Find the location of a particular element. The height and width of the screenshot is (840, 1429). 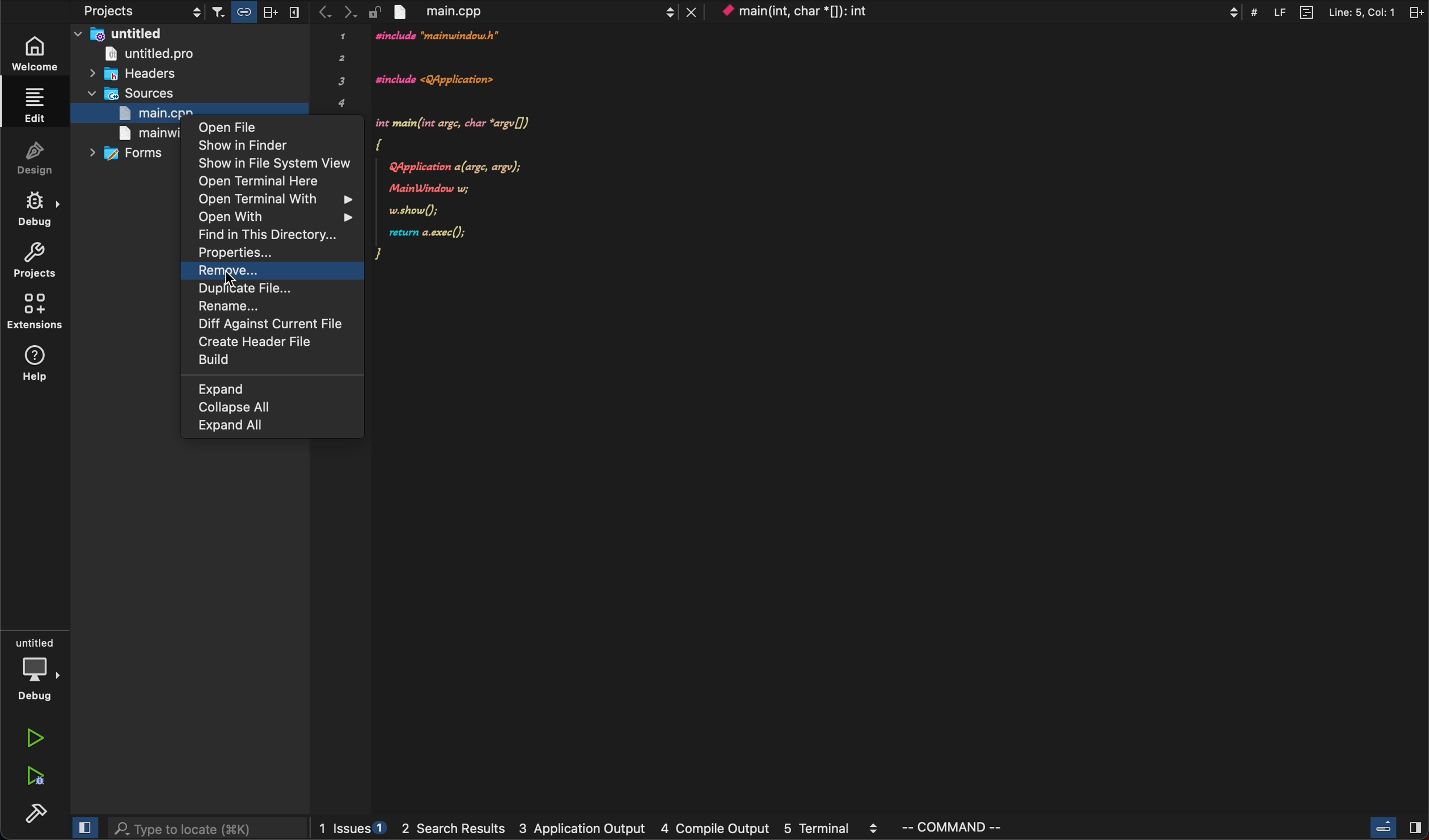

collapse is located at coordinates (232, 408).